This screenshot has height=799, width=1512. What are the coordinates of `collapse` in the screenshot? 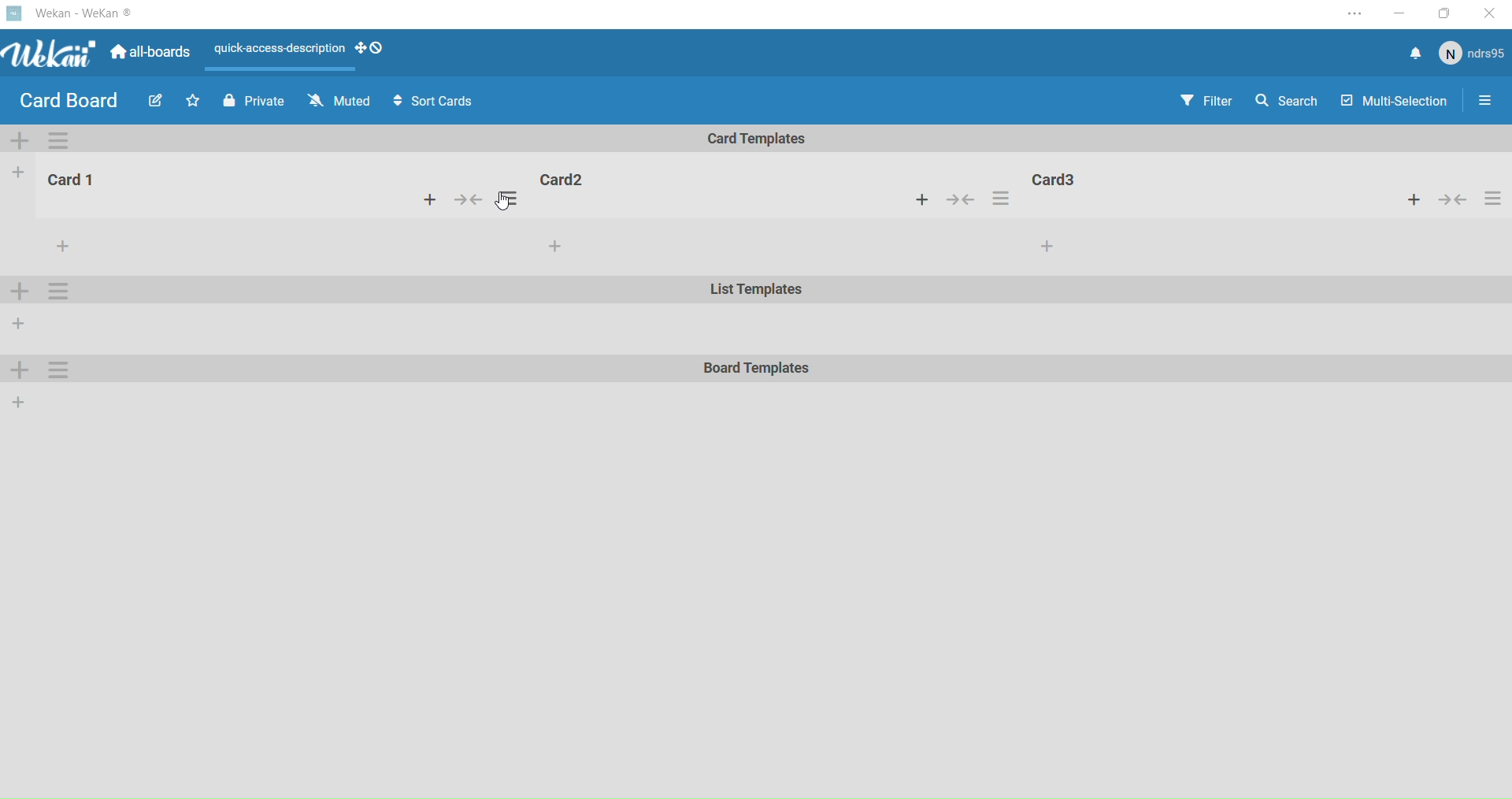 It's located at (964, 203).